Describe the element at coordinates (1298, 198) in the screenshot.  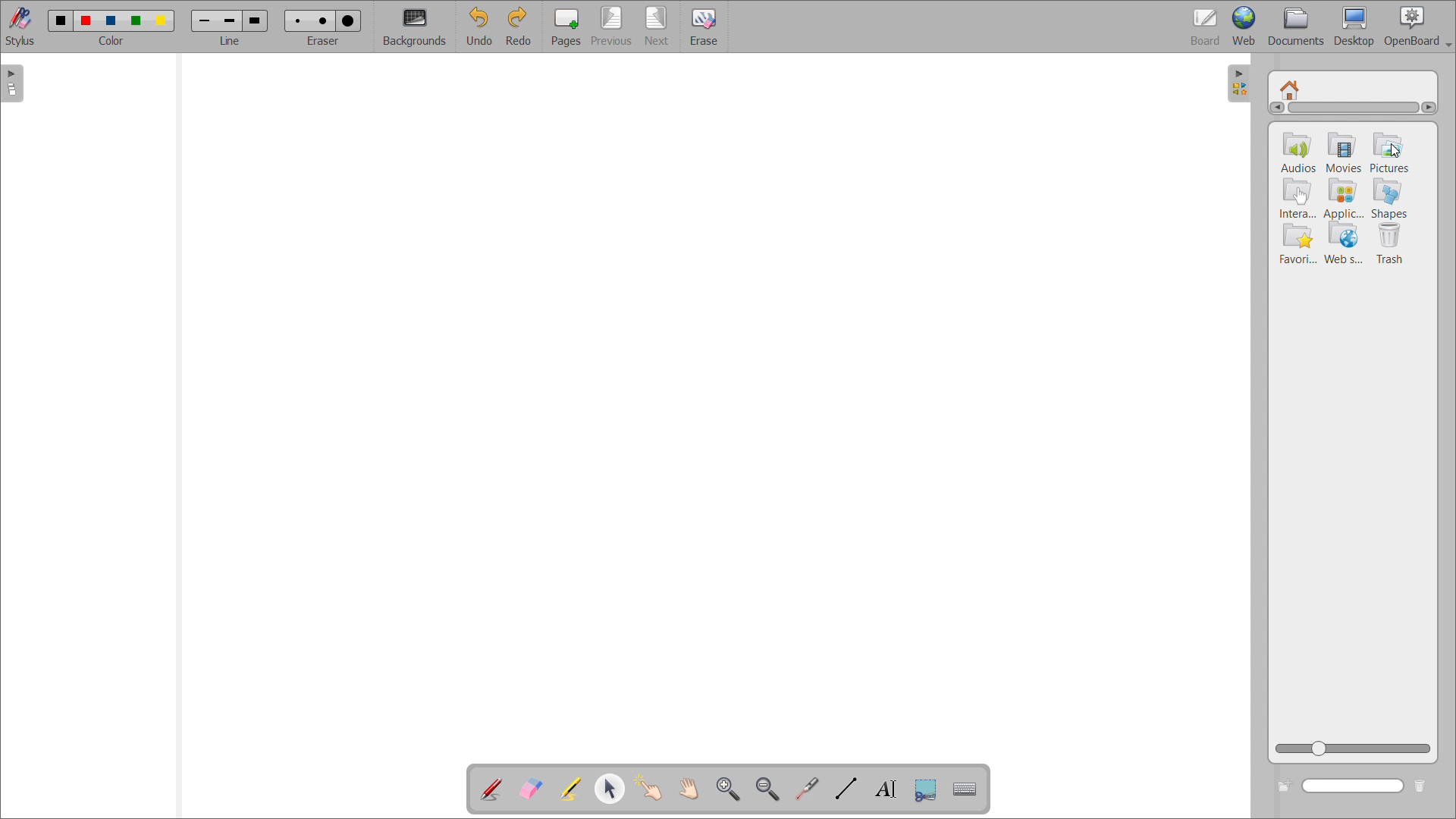
I see `intera..` at that location.